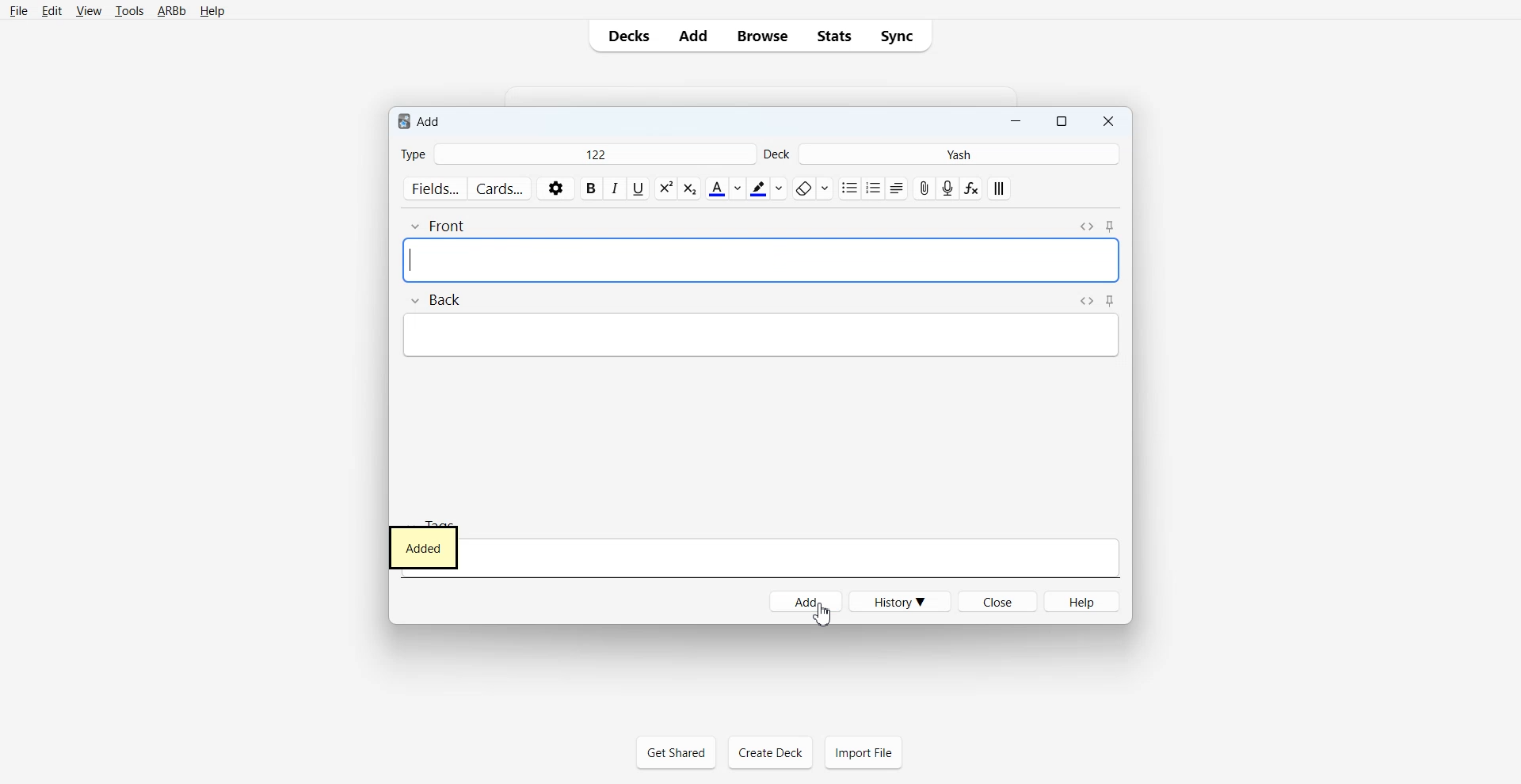 The width and height of the screenshot is (1521, 784). What do you see at coordinates (1007, 188) in the screenshot?
I see `alignment` at bounding box center [1007, 188].